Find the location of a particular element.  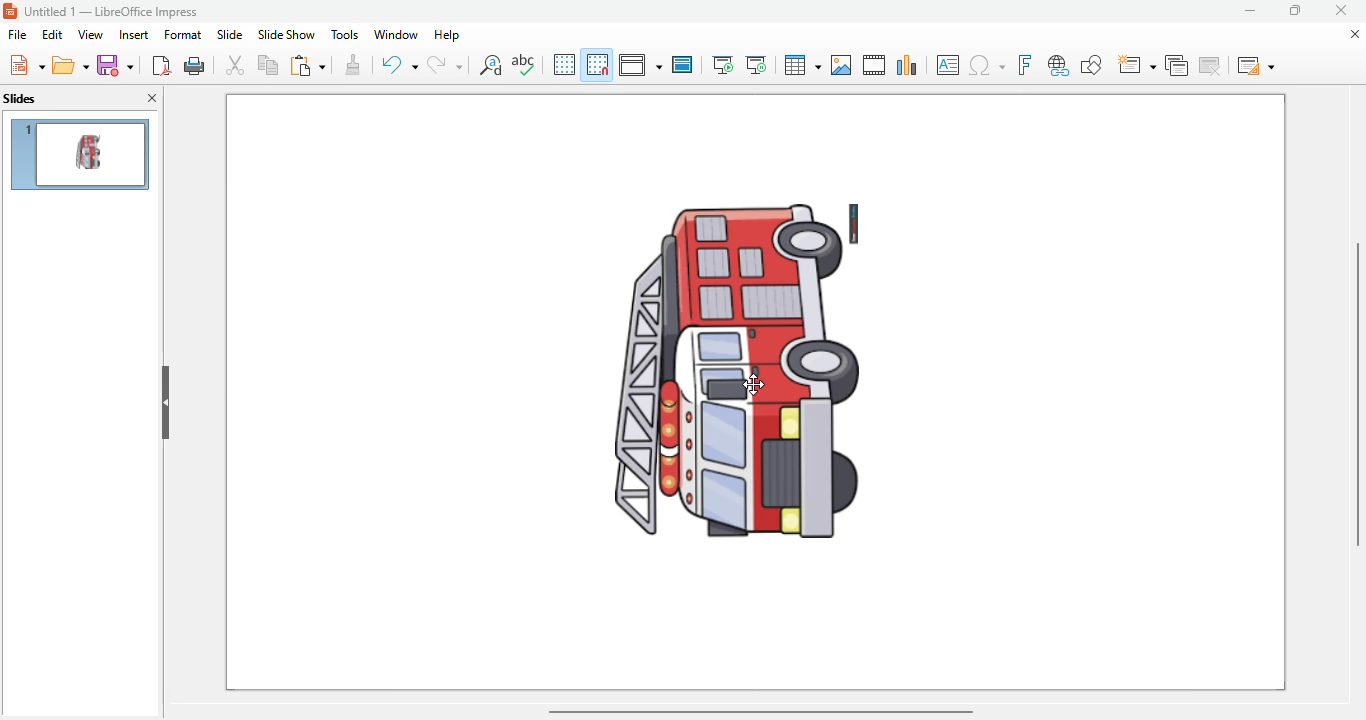

maximize is located at coordinates (1294, 10).